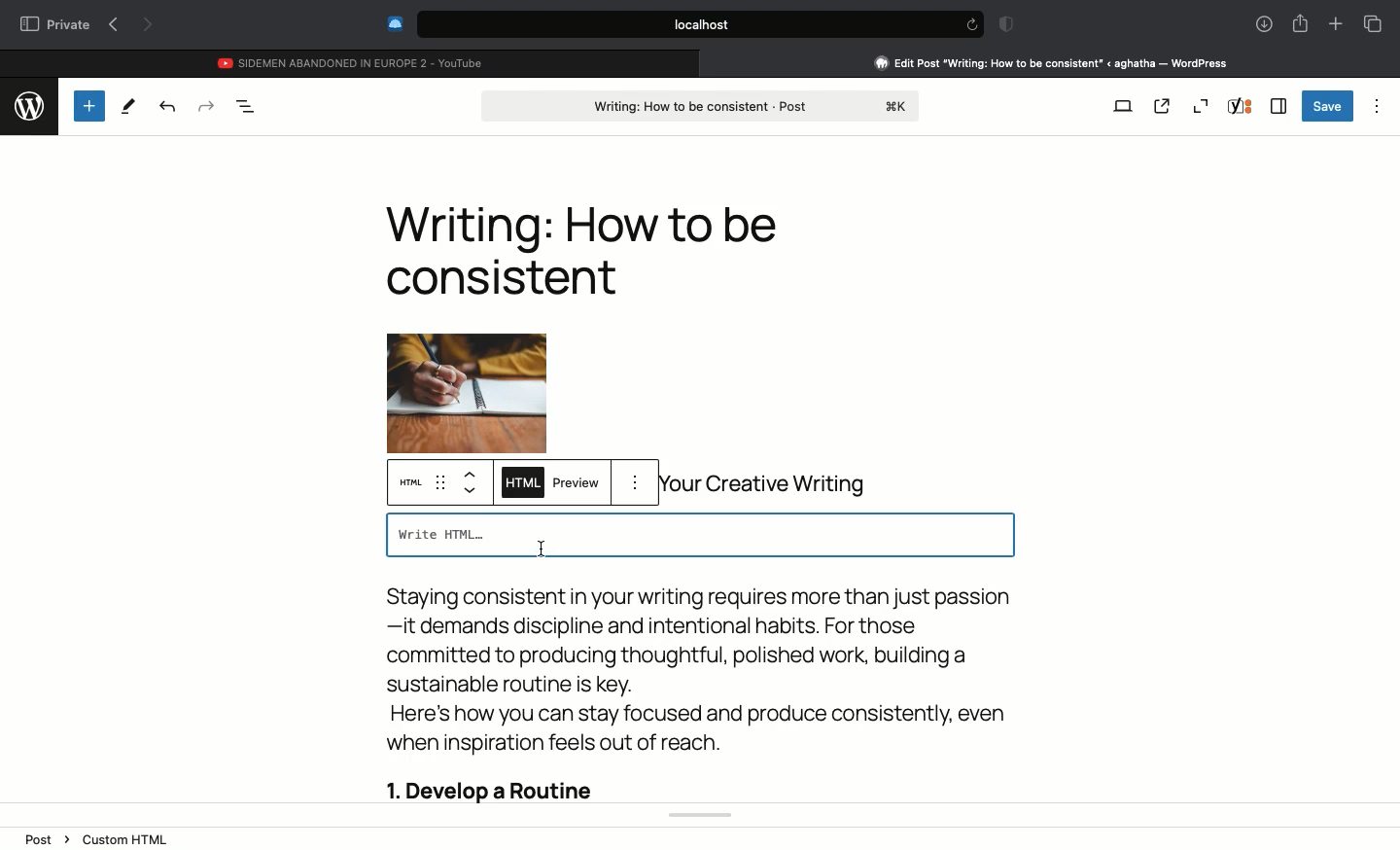  What do you see at coordinates (1300, 21) in the screenshot?
I see `Share` at bounding box center [1300, 21].